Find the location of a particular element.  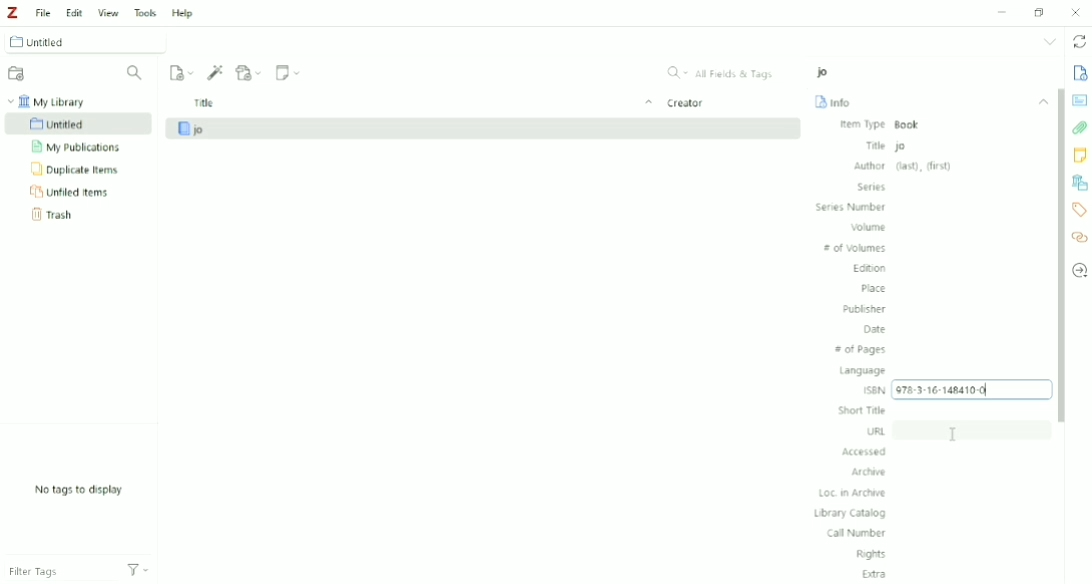

Libraries and Collections is located at coordinates (1080, 183).